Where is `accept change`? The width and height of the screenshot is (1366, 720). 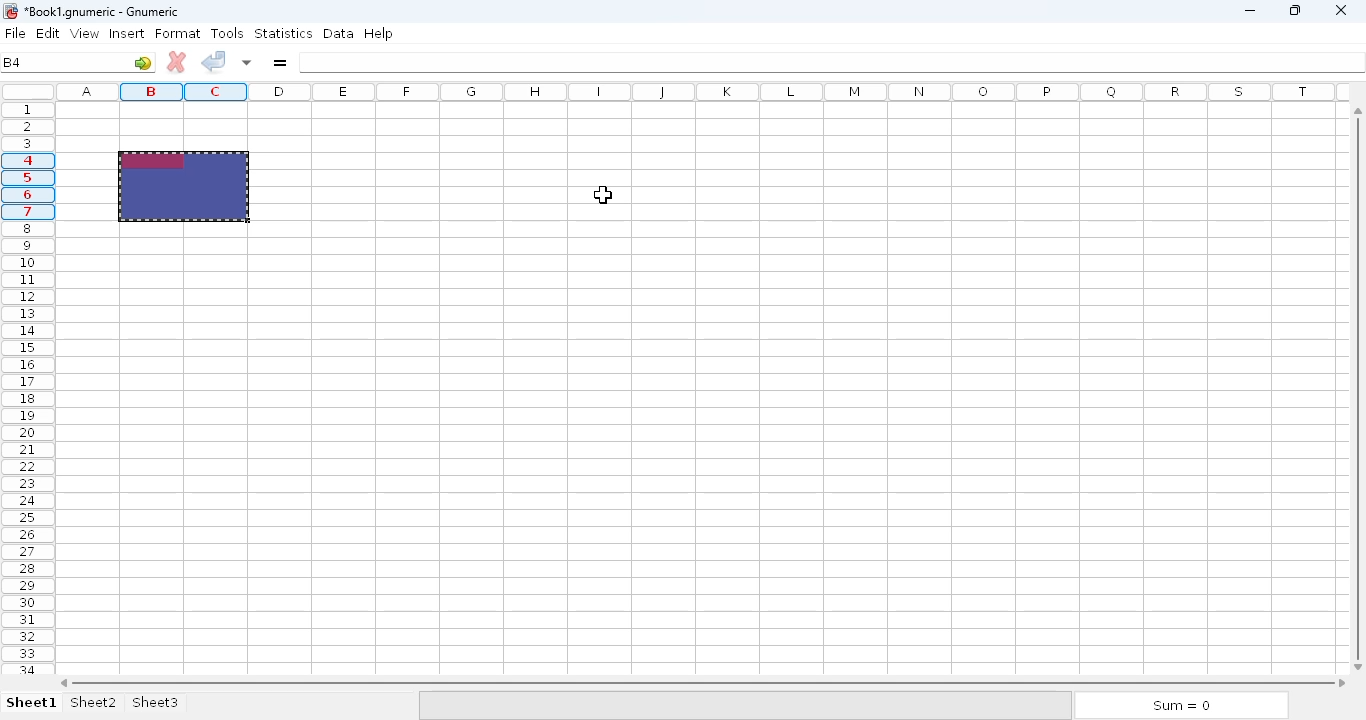 accept change is located at coordinates (215, 61).